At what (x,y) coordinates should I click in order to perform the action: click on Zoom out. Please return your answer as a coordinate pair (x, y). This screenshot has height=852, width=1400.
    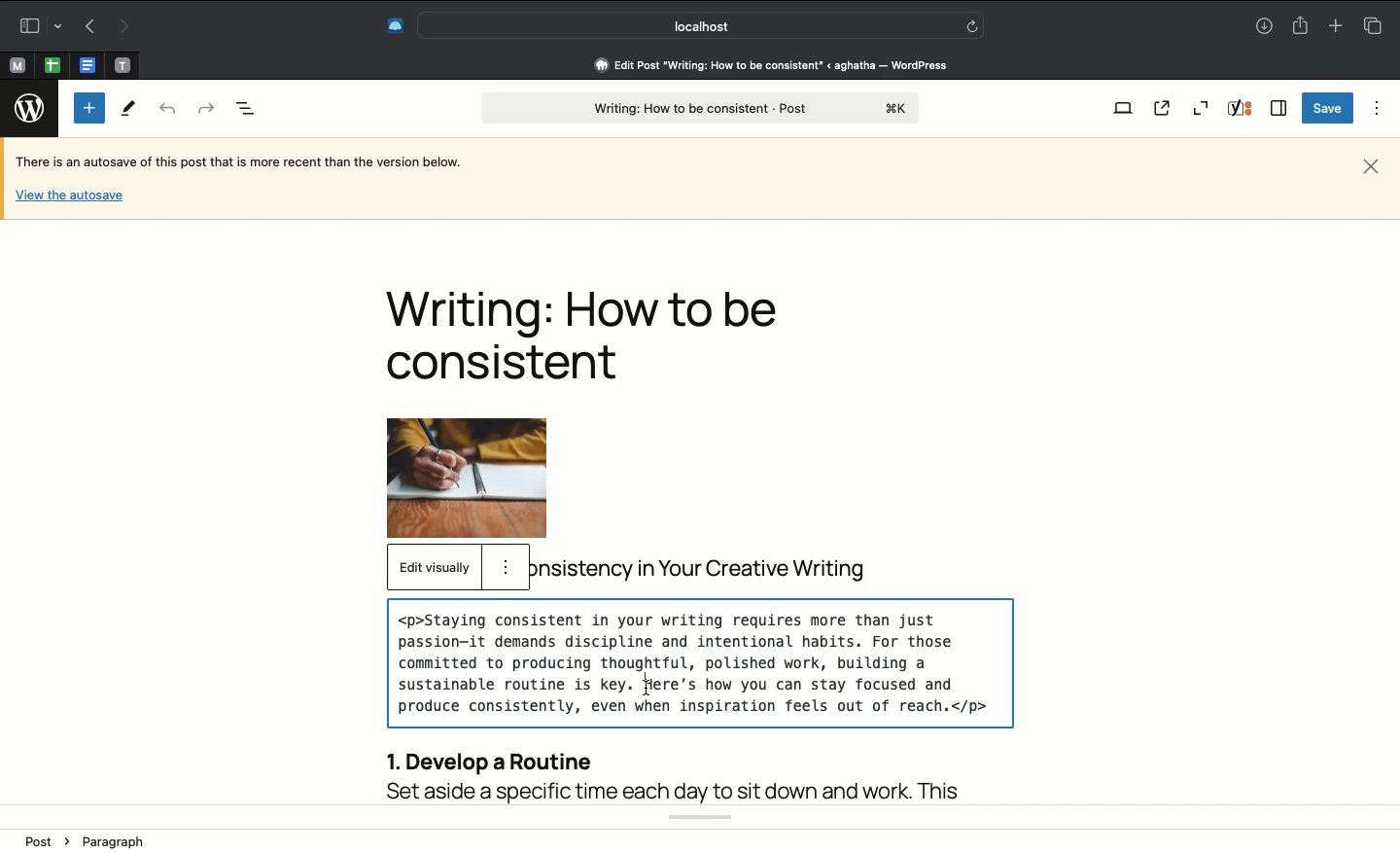
    Looking at the image, I should click on (1201, 108).